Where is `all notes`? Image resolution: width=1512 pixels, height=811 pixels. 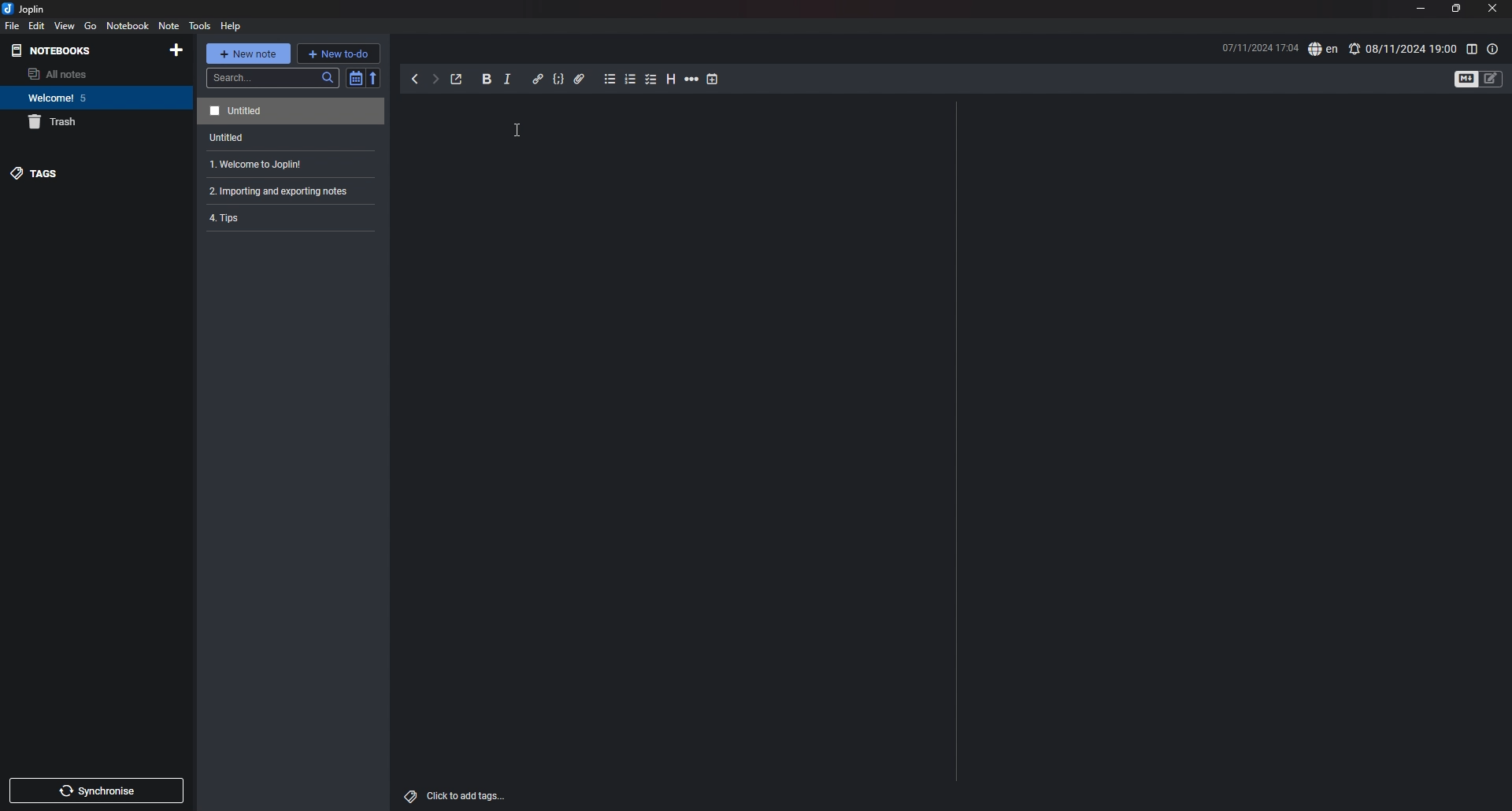
all notes is located at coordinates (83, 73).